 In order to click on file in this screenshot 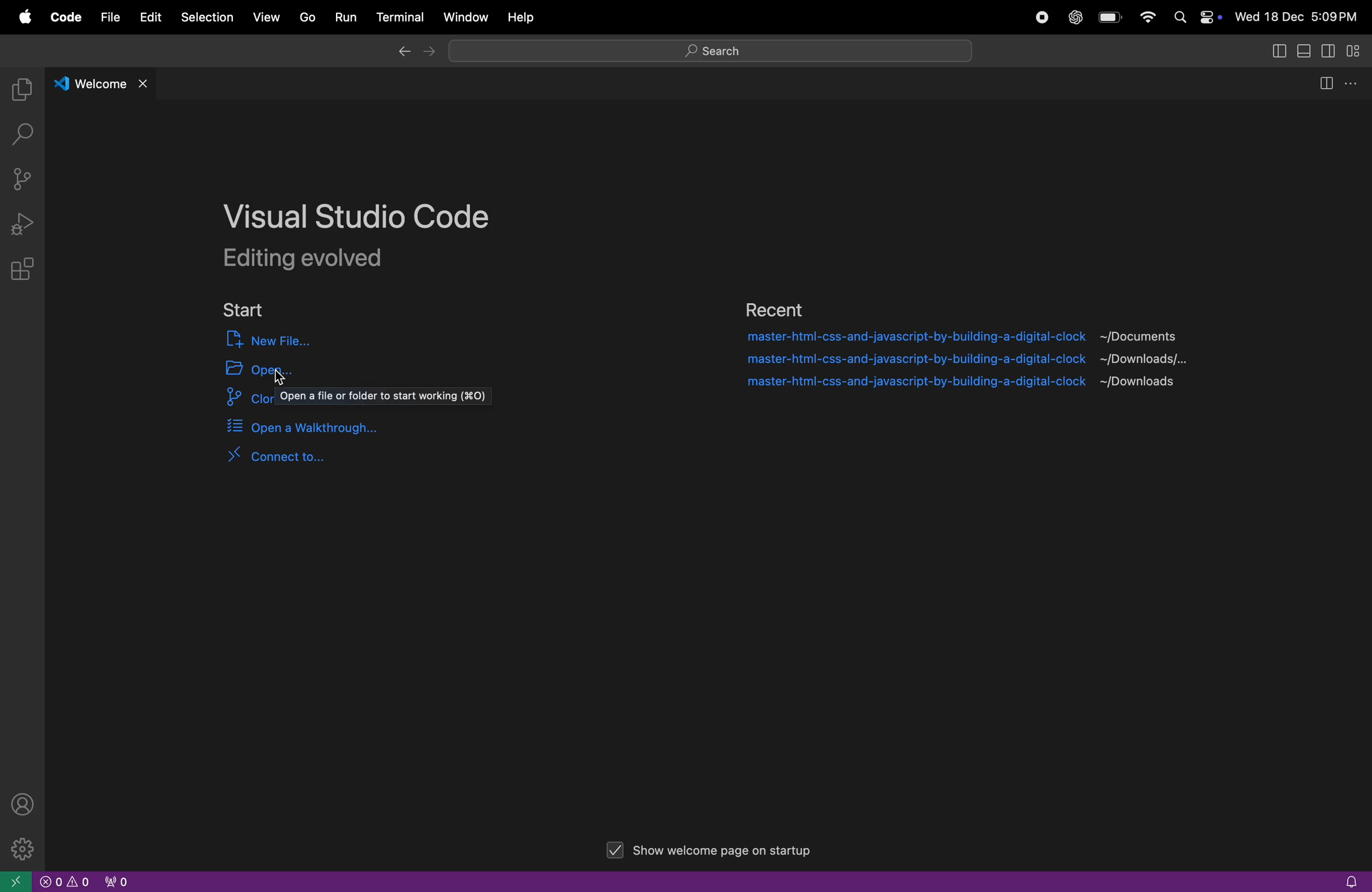, I will do `click(958, 384)`.